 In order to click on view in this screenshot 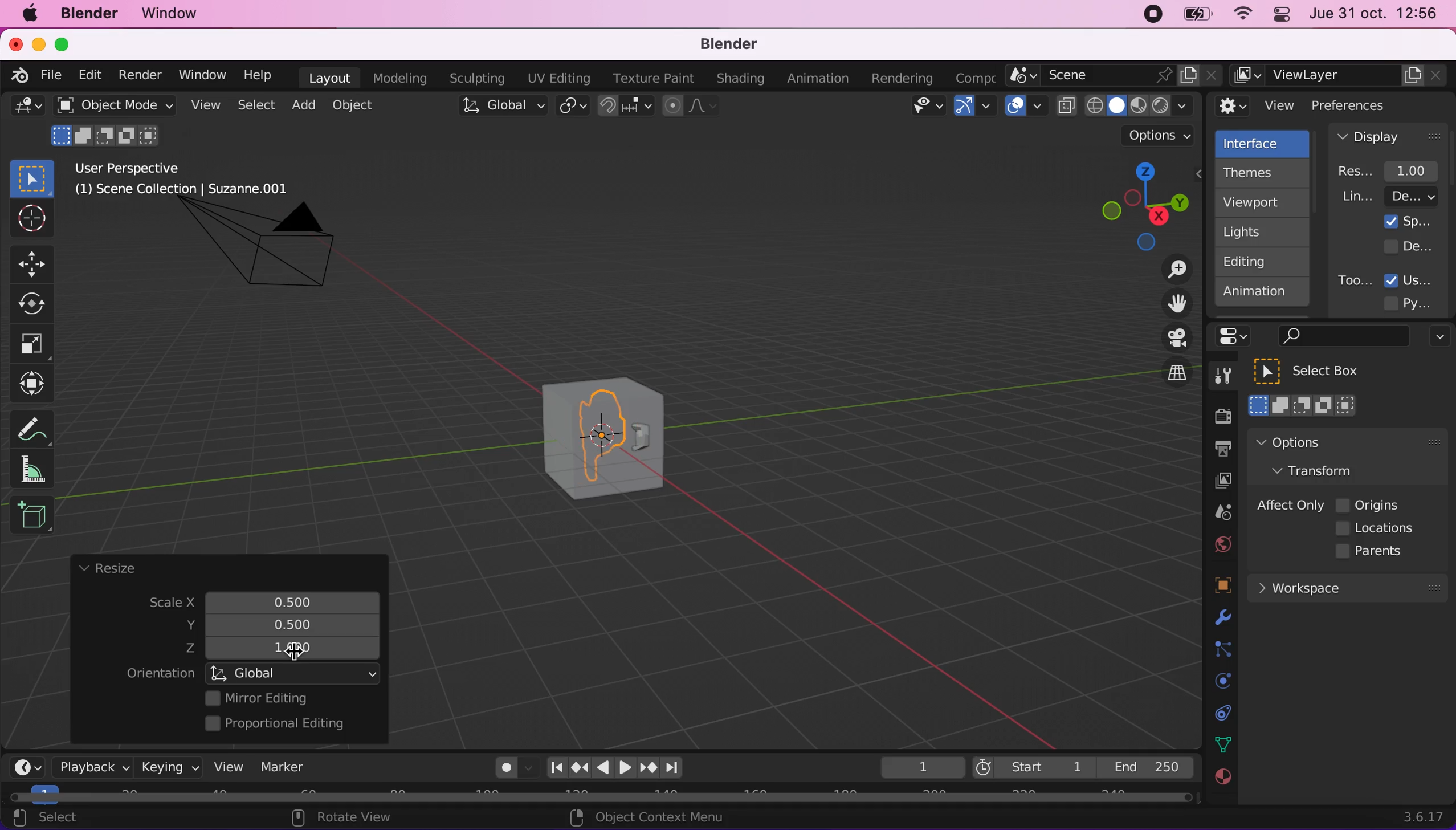, I will do `click(224, 766)`.